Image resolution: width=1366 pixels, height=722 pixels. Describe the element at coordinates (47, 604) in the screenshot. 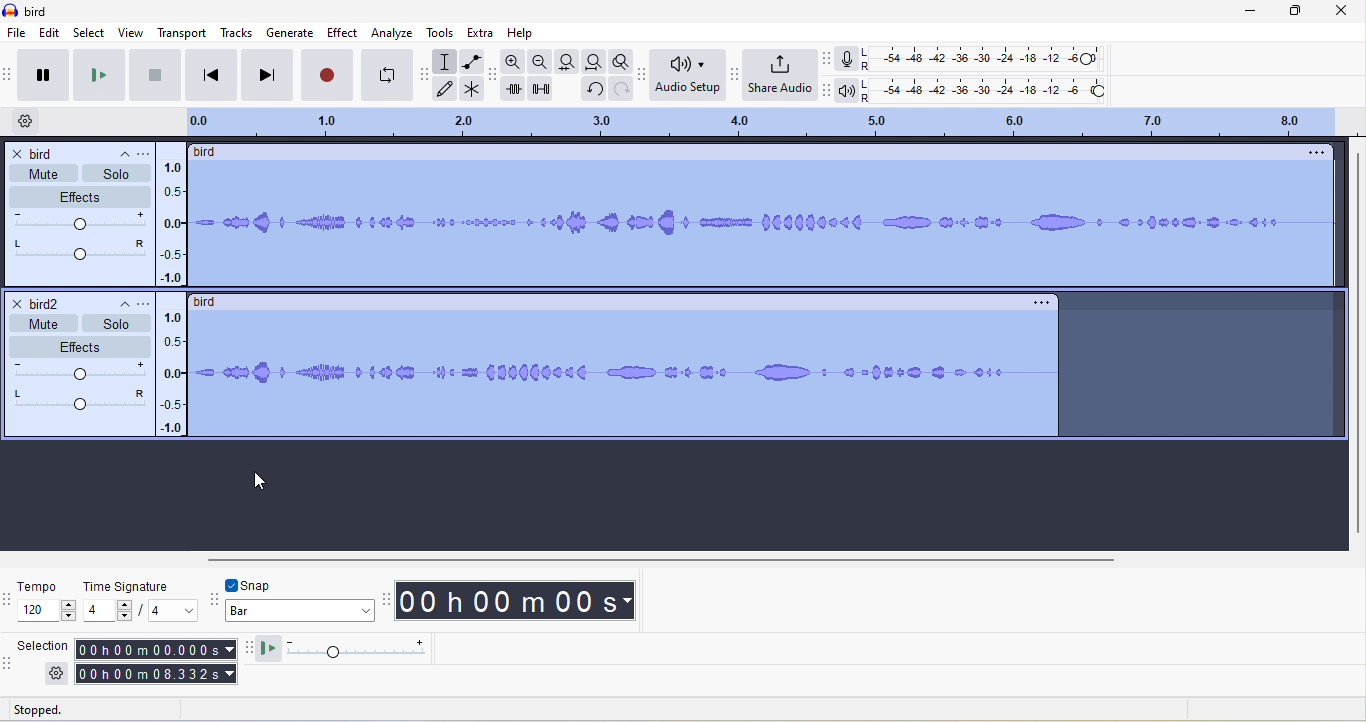

I see `tempo` at that location.